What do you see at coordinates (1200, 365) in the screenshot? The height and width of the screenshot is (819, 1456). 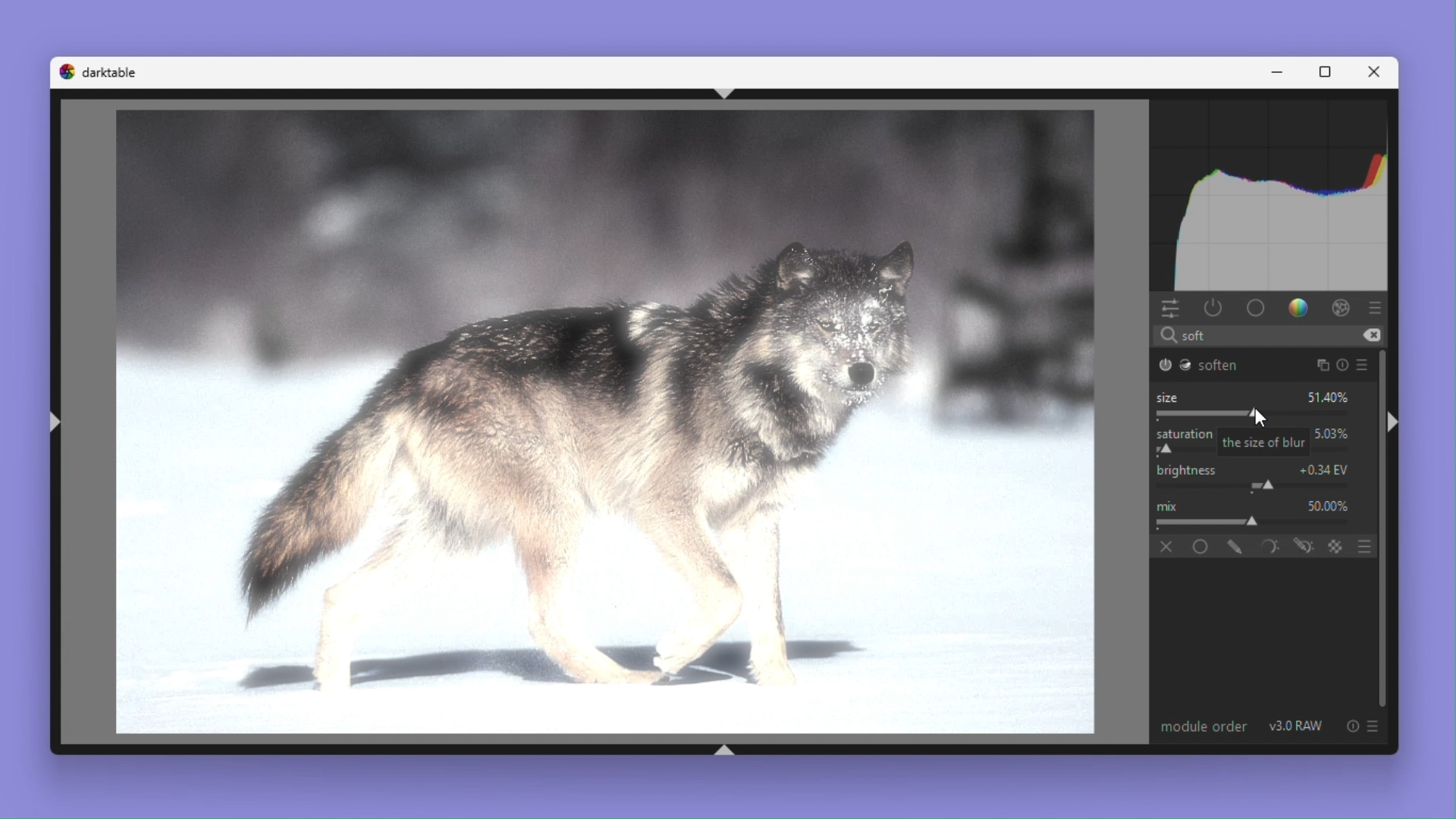 I see `soften` at bounding box center [1200, 365].